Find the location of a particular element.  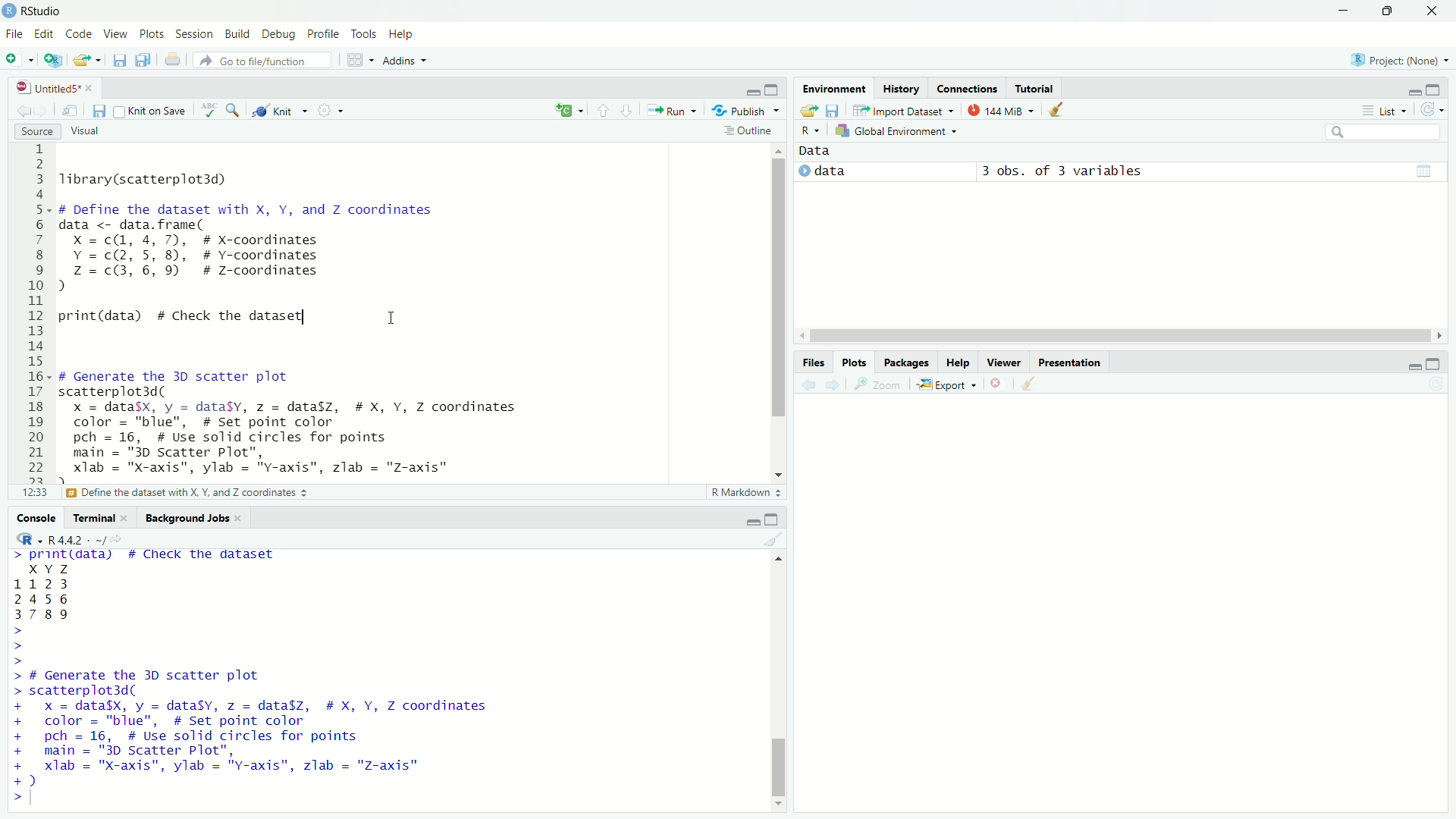

show in new window is located at coordinates (70, 111).